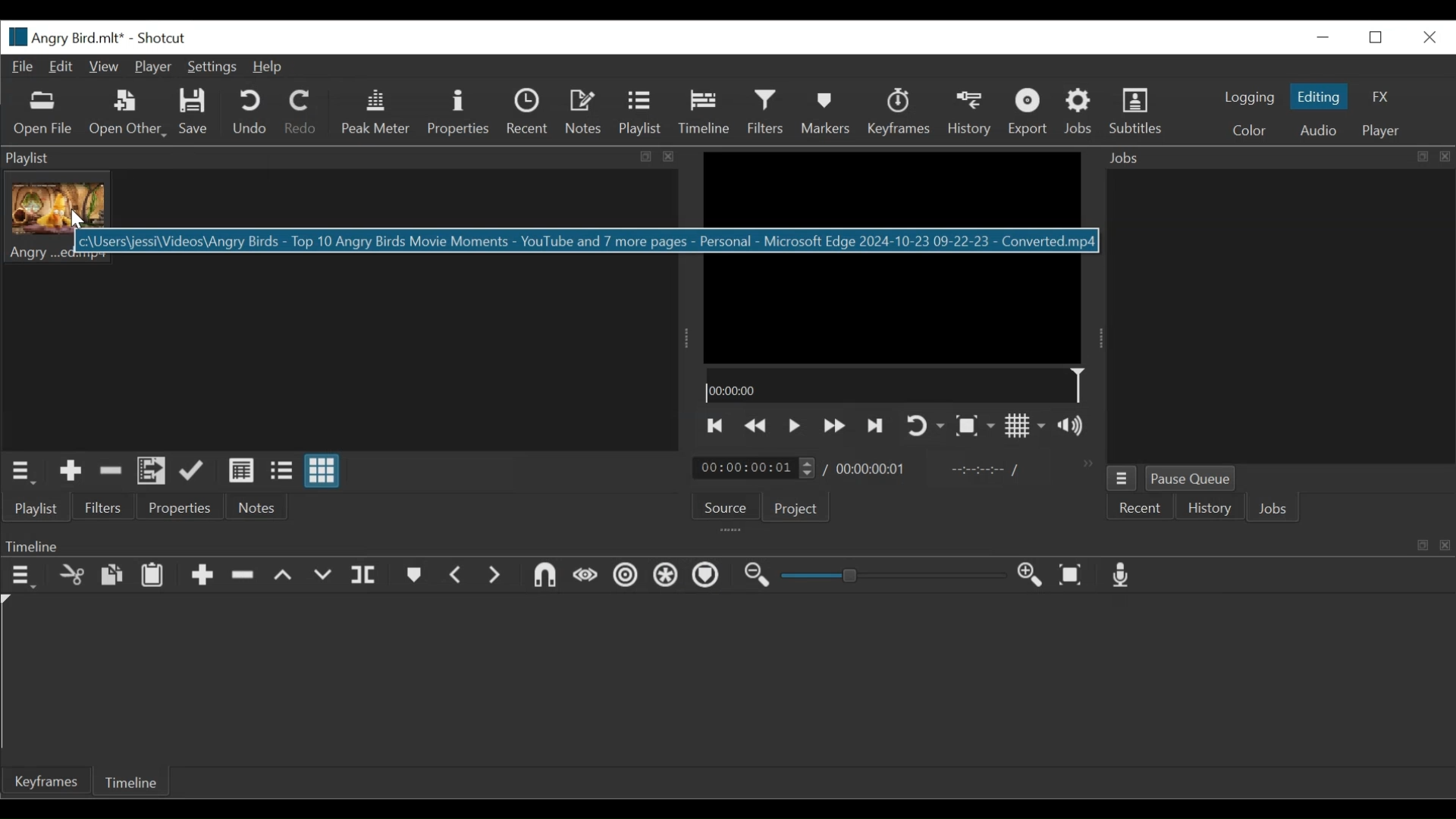 The height and width of the screenshot is (819, 1456). What do you see at coordinates (1319, 96) in the screenshot?
I see `Editing` at bounding box center [1319, 96].